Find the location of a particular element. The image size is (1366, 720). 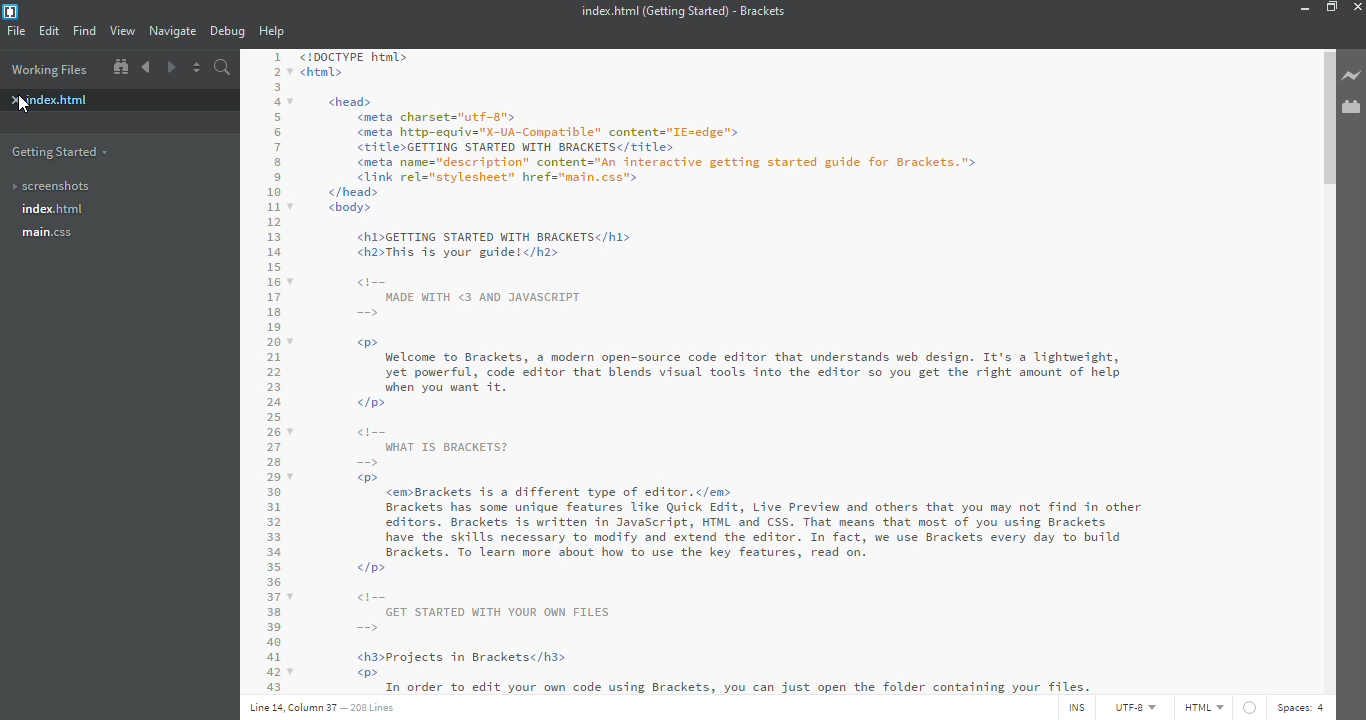

html is located at coordinates (1203, 705).